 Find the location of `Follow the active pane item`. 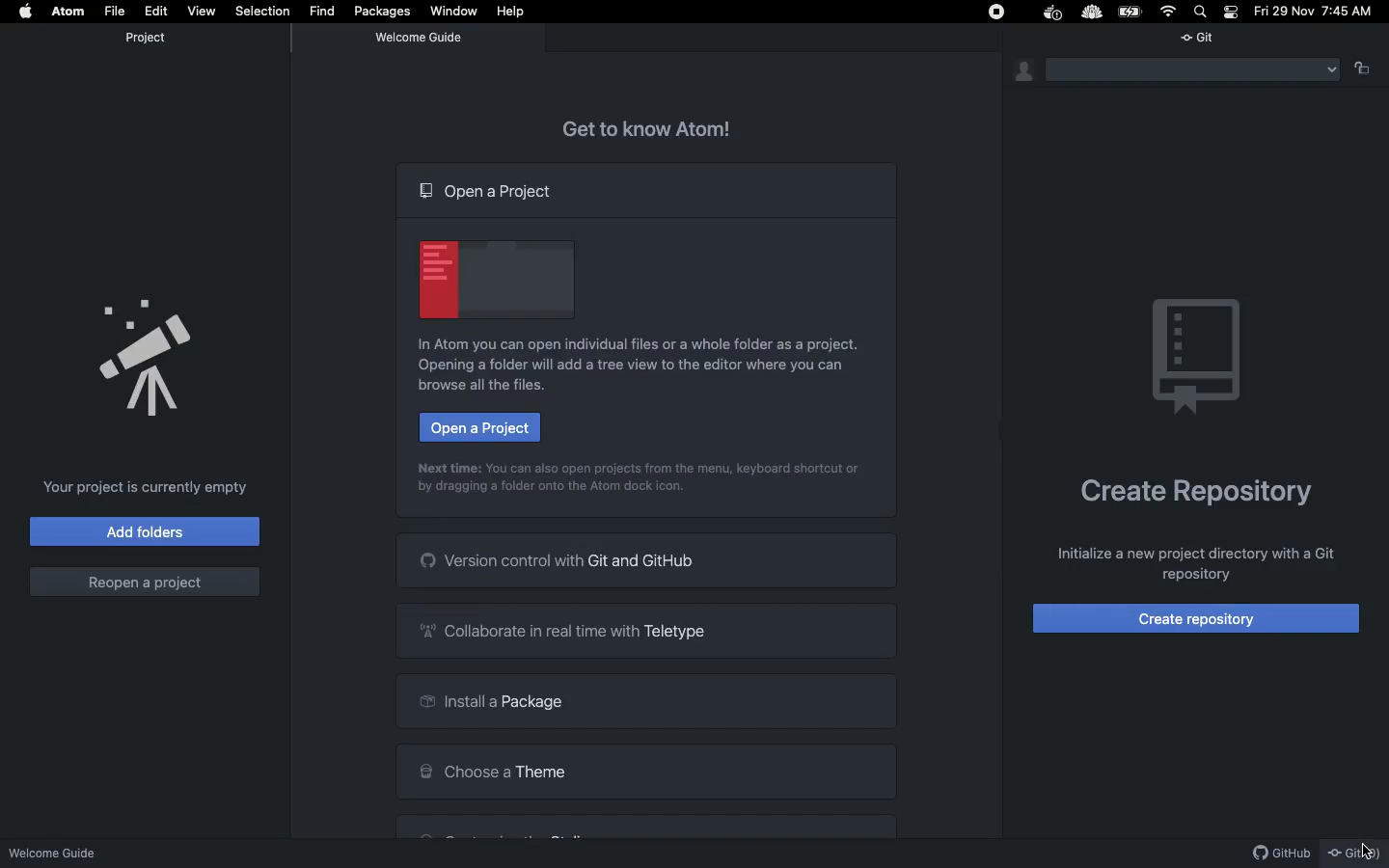

Follow the active pane item is located at coordinates (1367, 69).